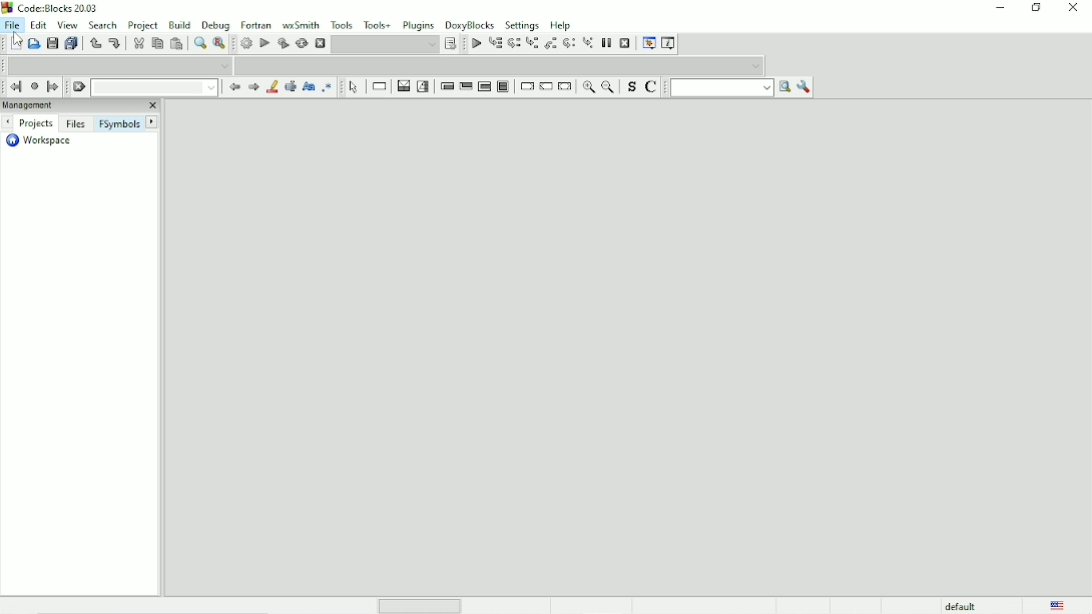  Describe the element at coordinates (386, 44) in the screenshot. I see `Drop down` at that location.